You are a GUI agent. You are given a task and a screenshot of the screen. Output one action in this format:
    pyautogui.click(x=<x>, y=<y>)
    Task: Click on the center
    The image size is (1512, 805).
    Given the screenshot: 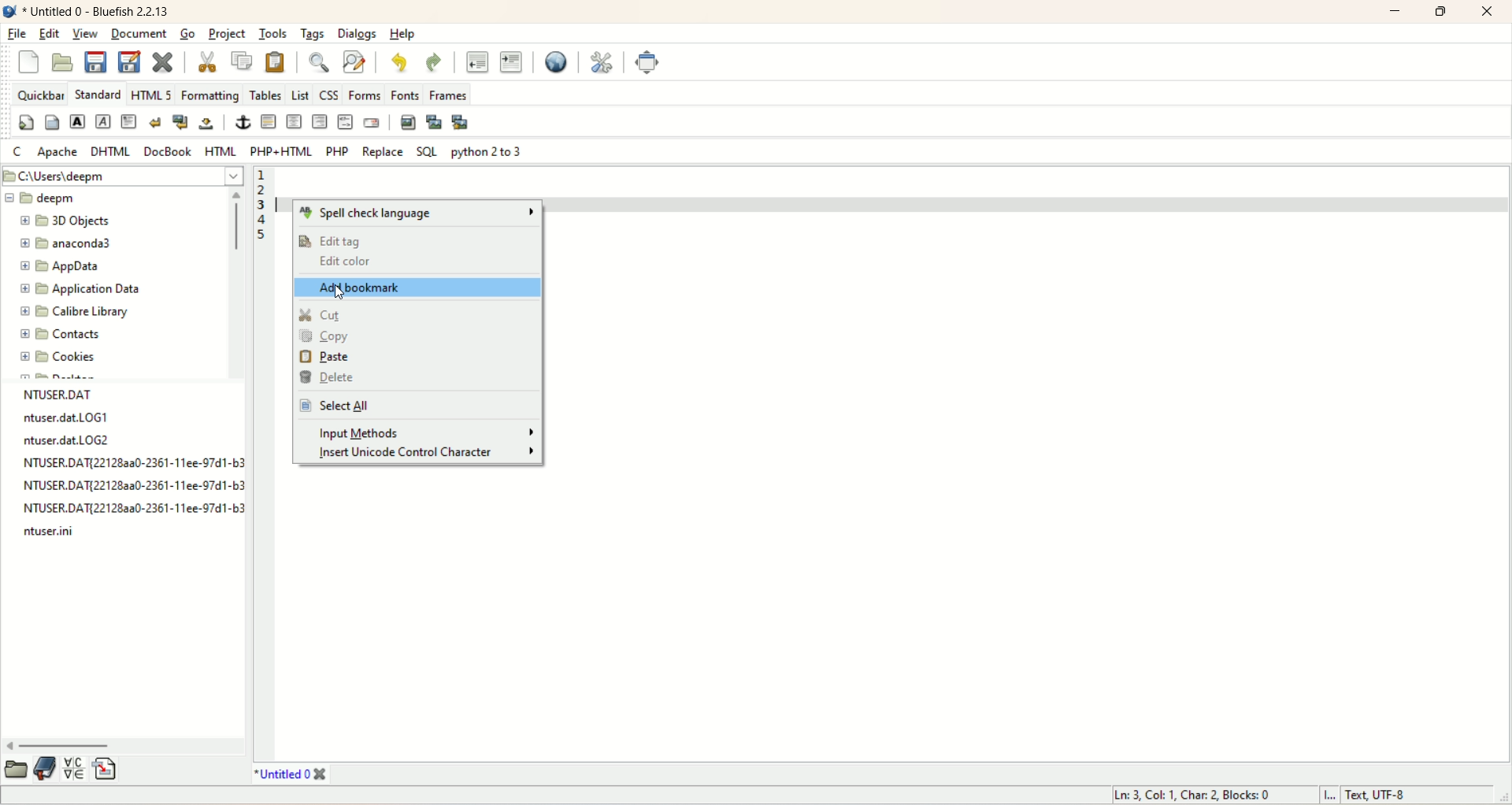 What is the action you would take?
    pyautogui.click(x=294, y=121)
    